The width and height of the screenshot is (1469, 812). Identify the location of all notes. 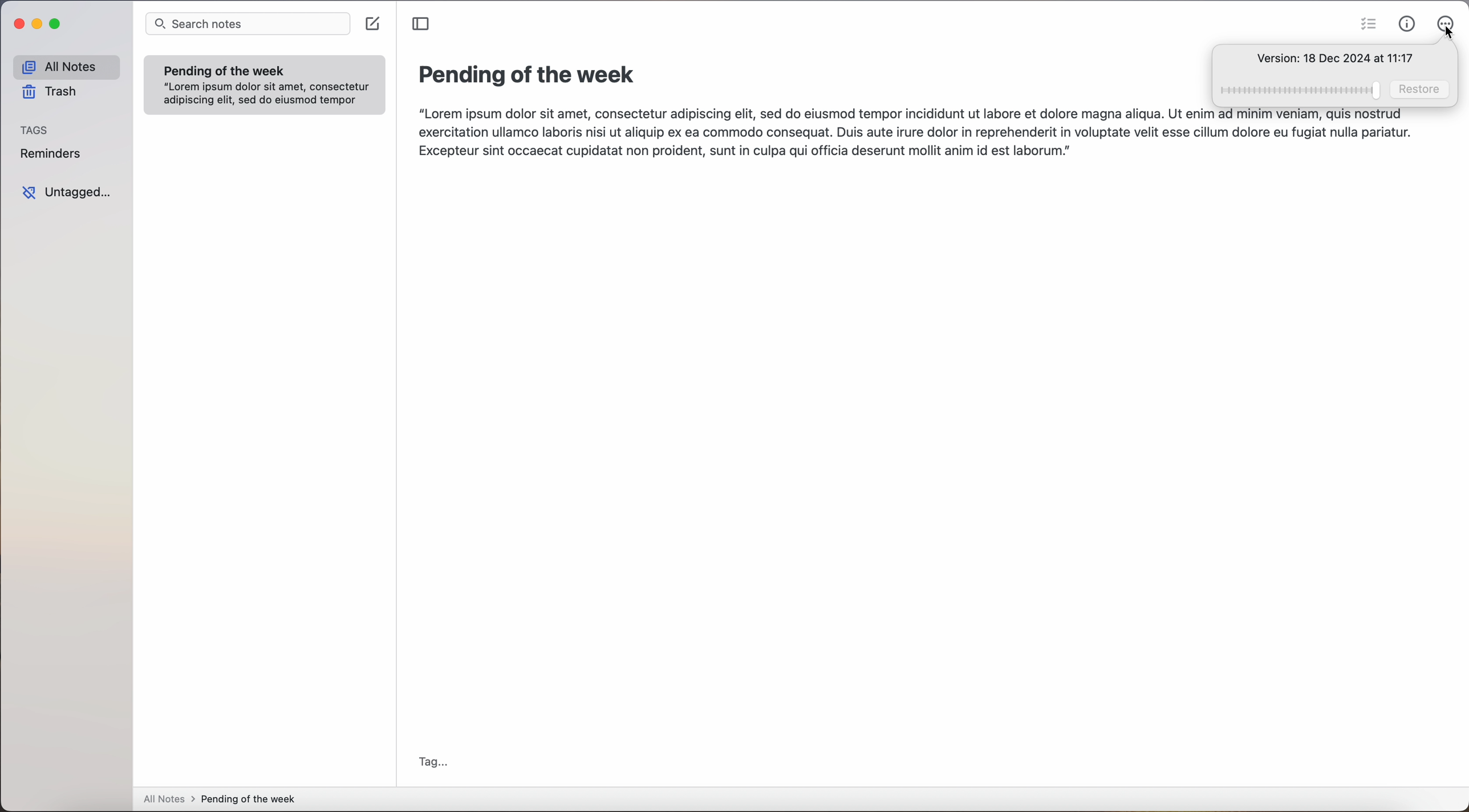
(63, 67).